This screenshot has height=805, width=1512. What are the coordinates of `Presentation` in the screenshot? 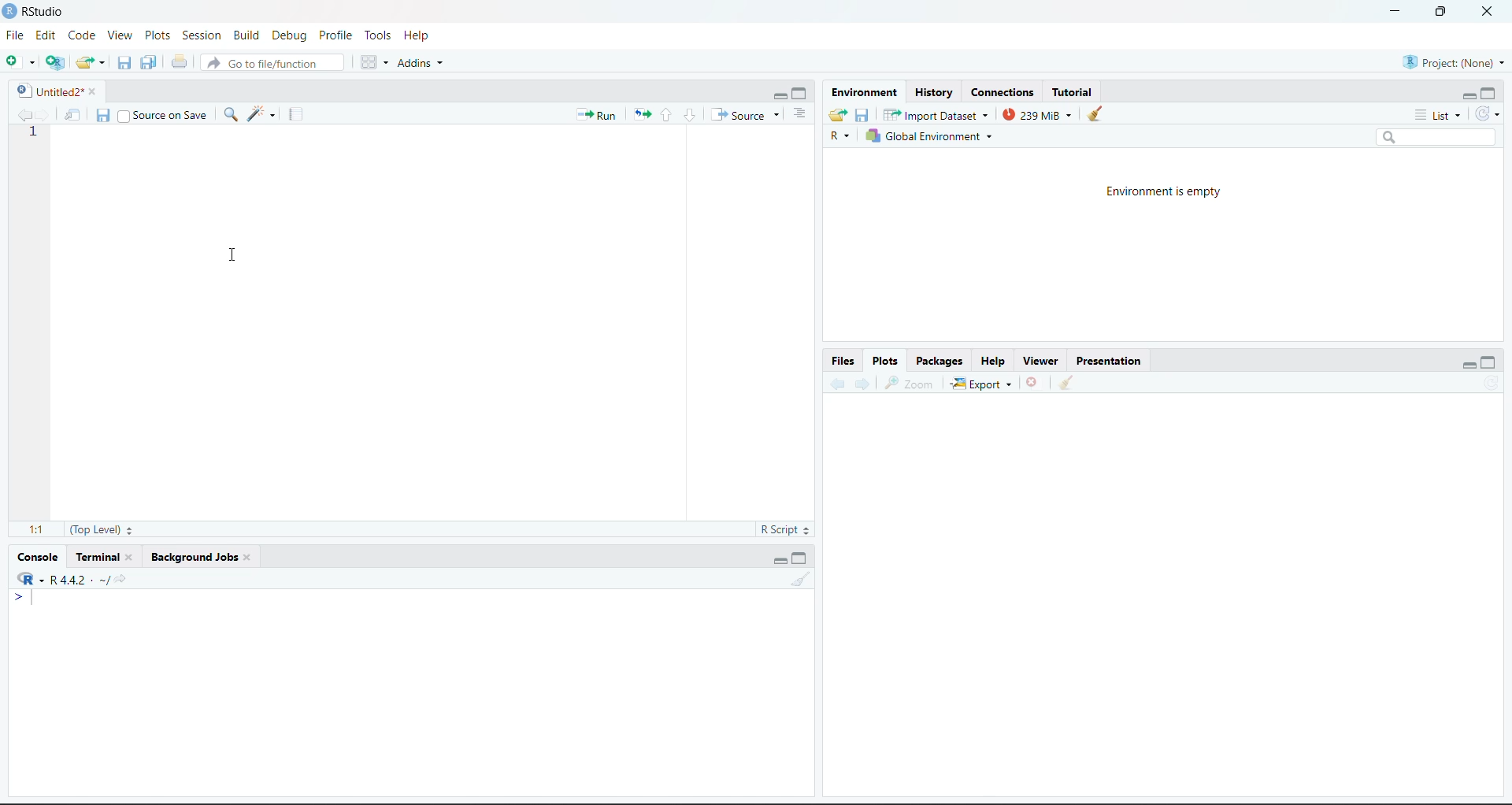 It's located at (1110, 359).